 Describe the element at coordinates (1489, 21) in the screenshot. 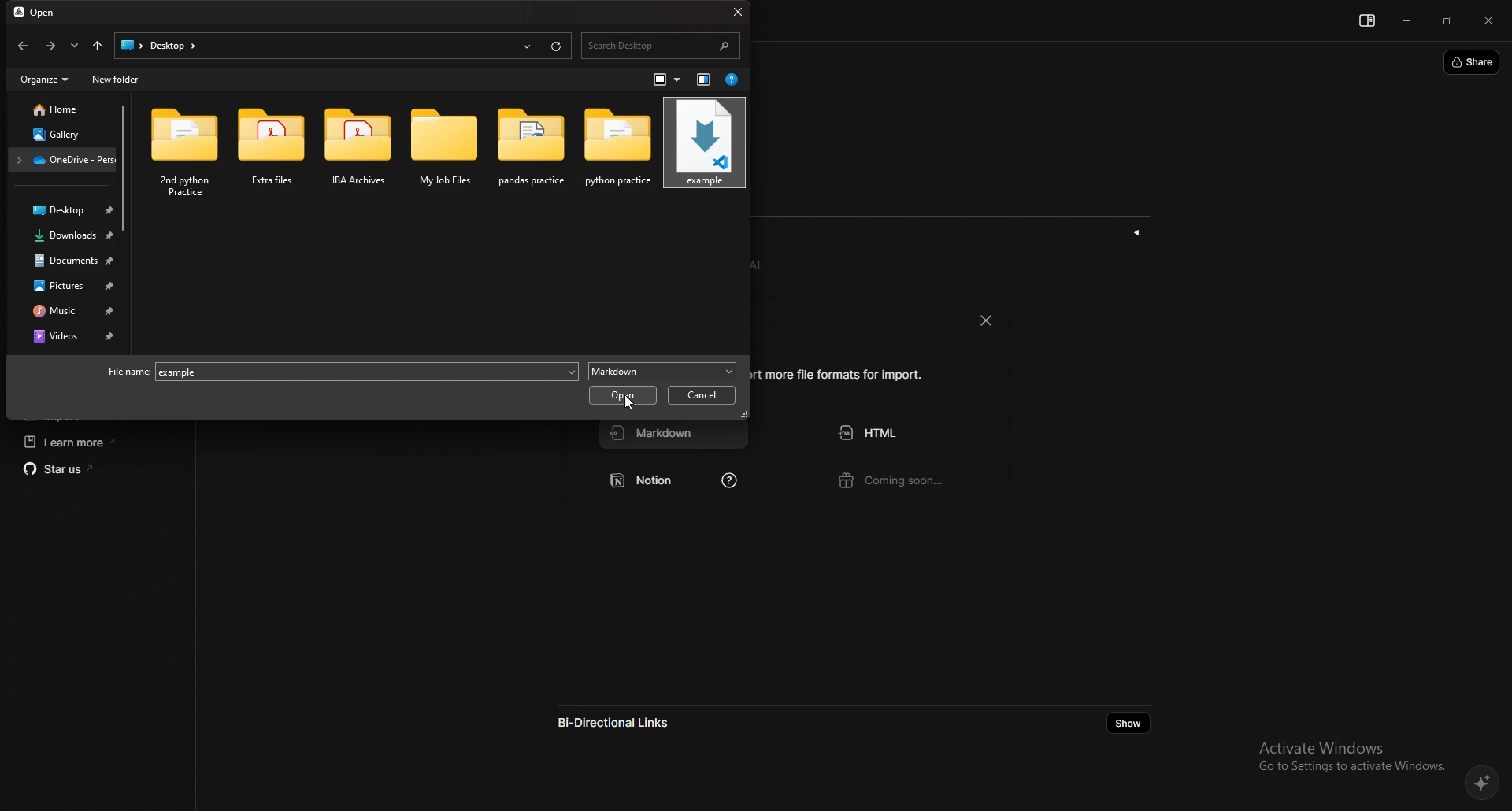

I see `close` at that location.